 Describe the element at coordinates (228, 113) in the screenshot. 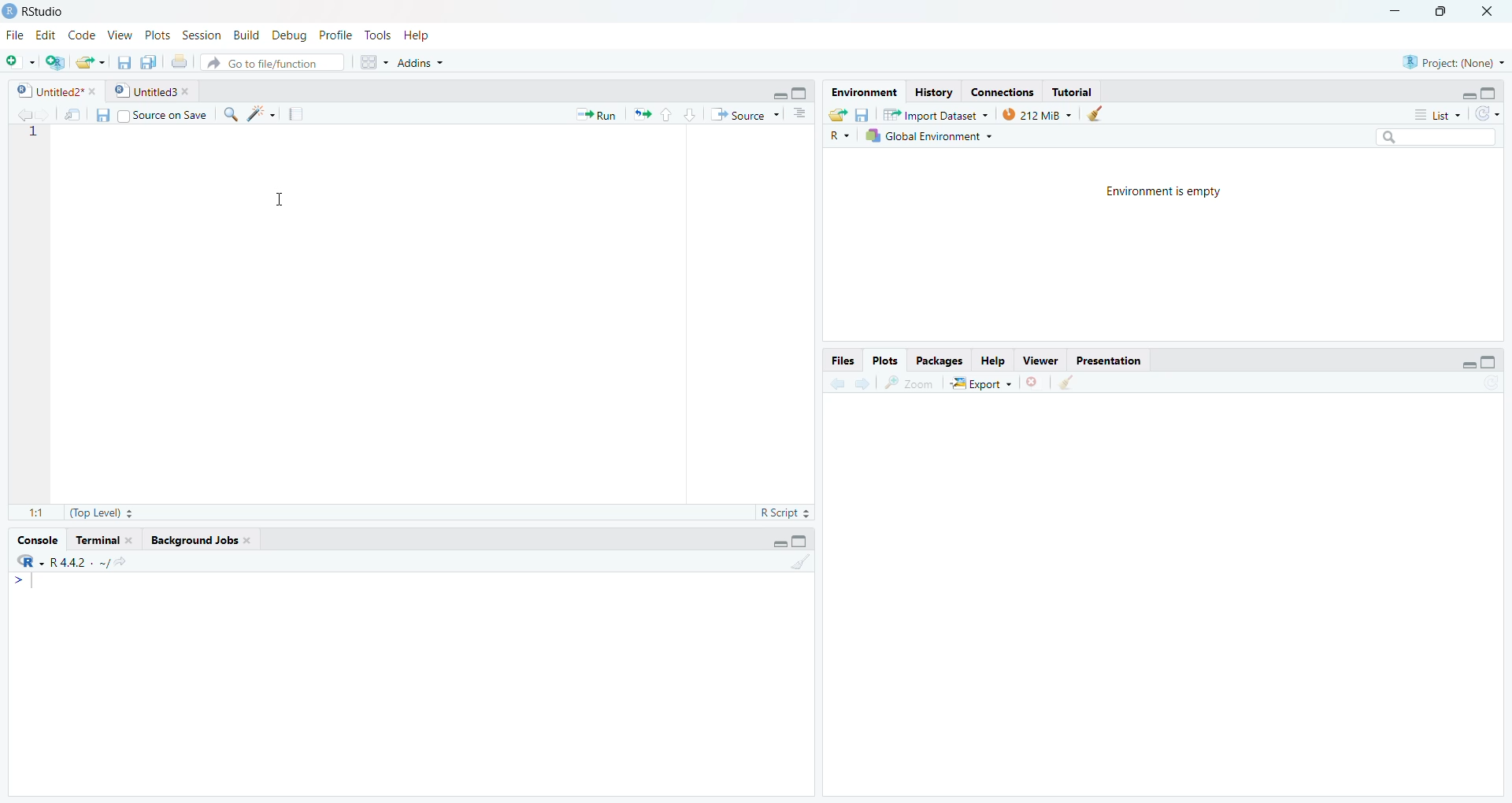

I see `search` at that location.